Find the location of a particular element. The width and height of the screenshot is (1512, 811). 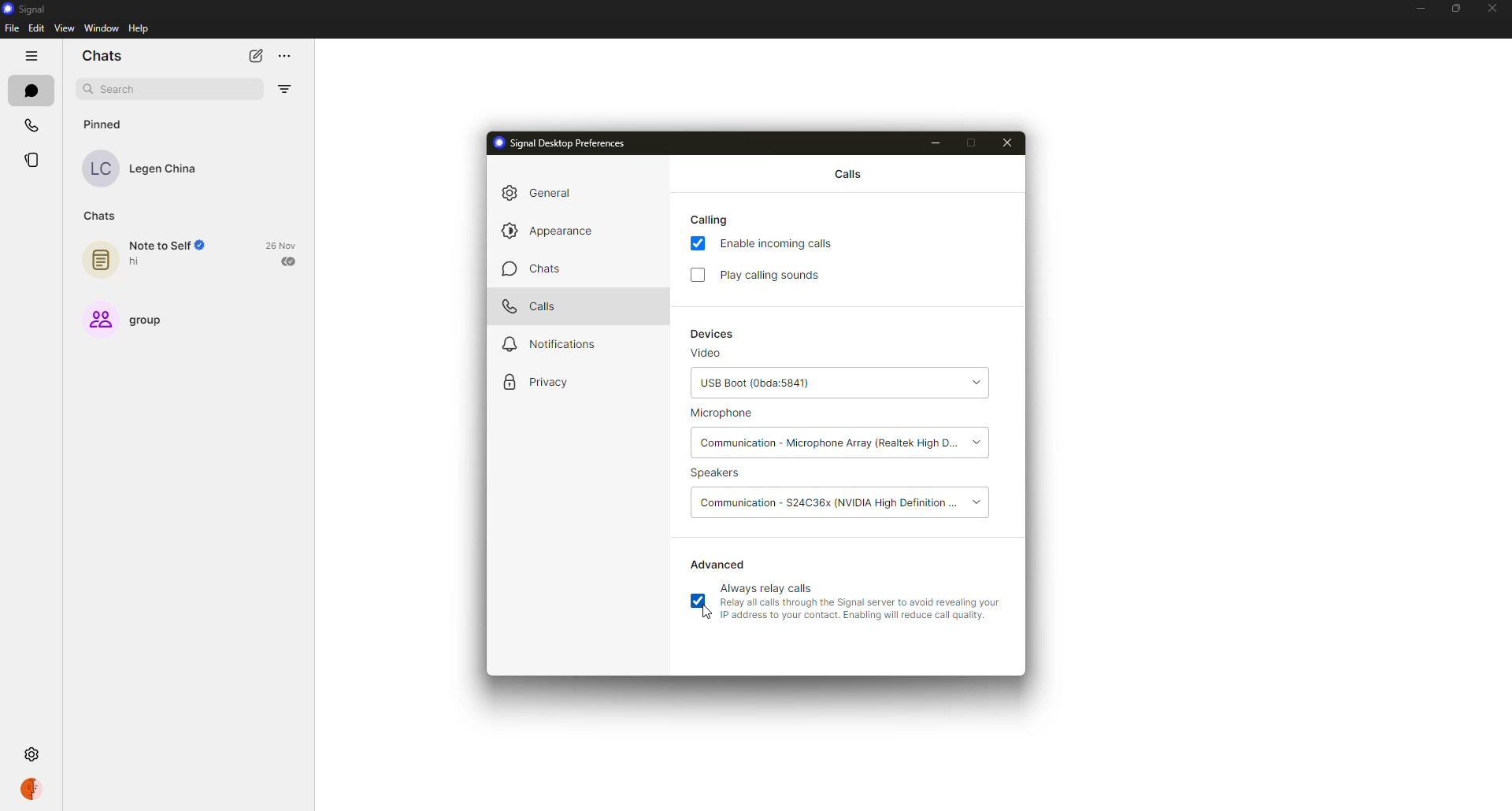

notifications is located at coordinates (545, 345).